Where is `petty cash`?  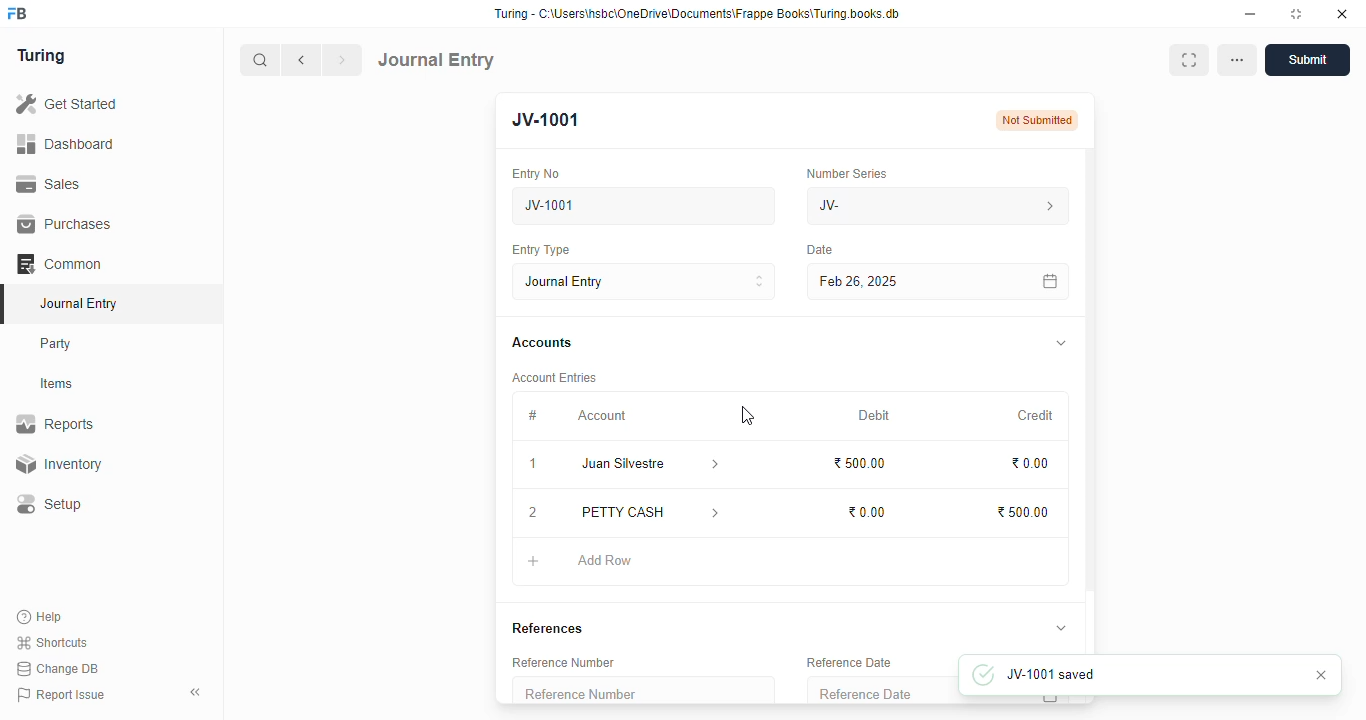 petty cash is located at coordinates (628, 512).